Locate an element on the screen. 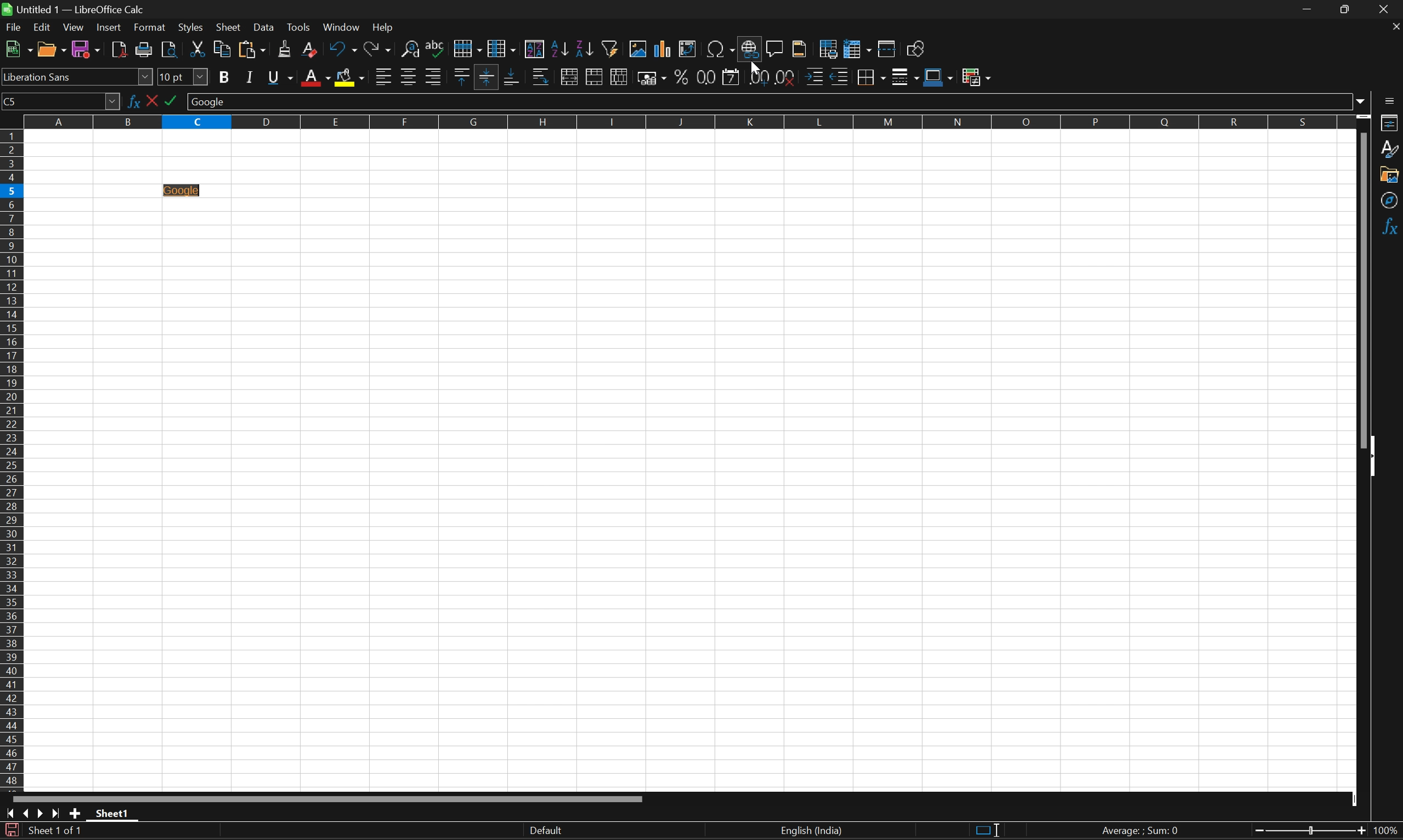 Image resolution: width=1403 pixels, height=840 pixels. Zoom in is located at coordinates (1254, 832).